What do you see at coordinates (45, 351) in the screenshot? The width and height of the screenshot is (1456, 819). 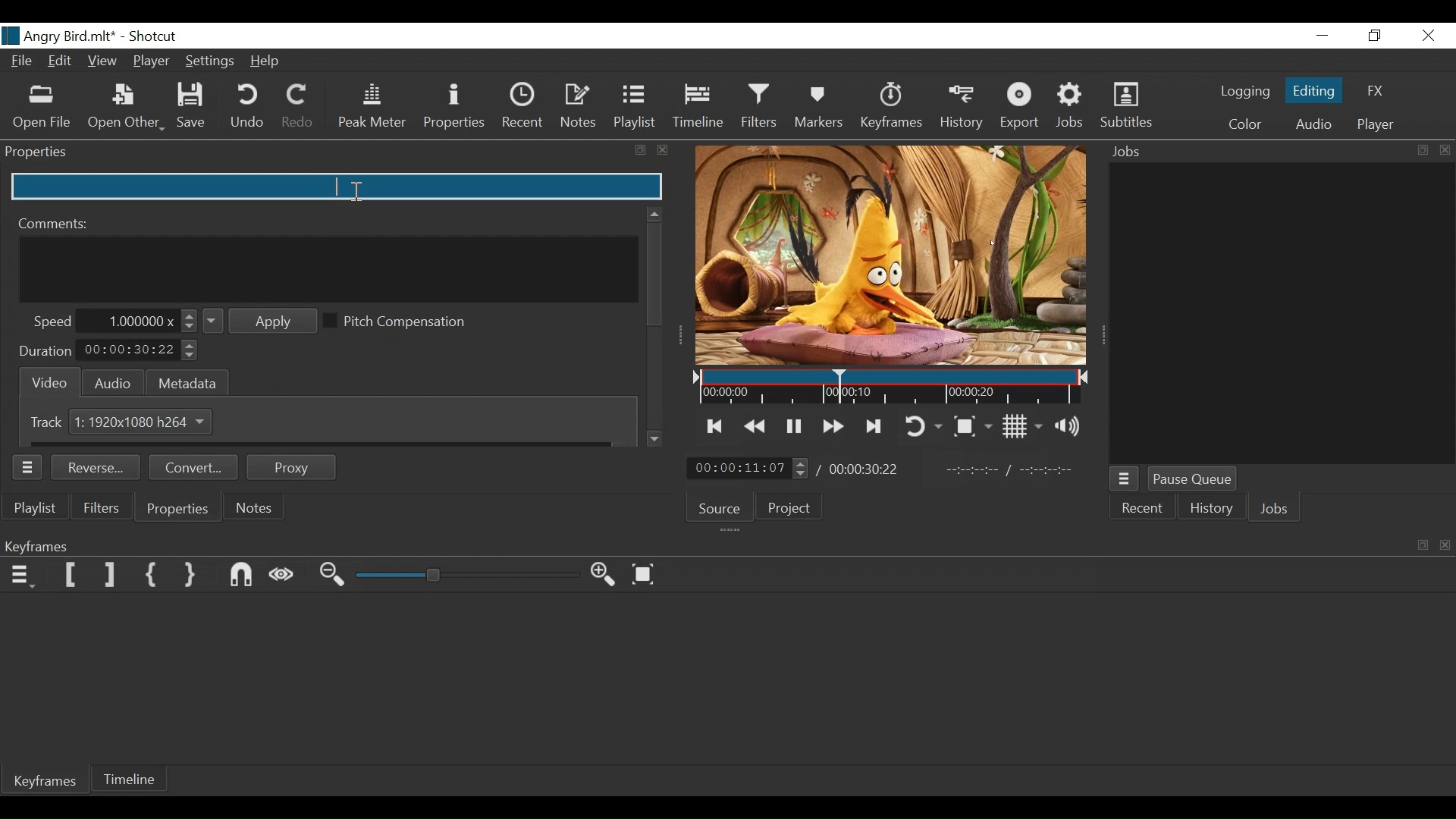 I see `Duration` at bounding box center [45, 351].